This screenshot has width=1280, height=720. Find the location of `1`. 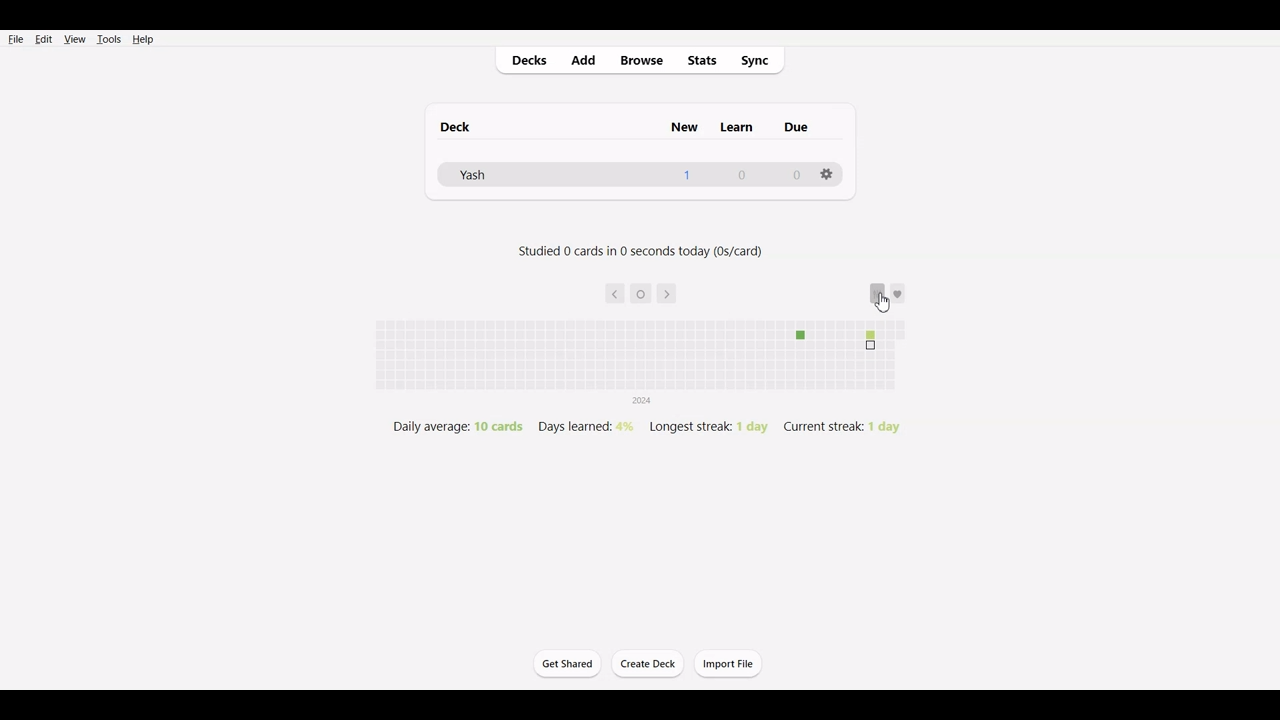

1 is located at coordinates (687, 175).